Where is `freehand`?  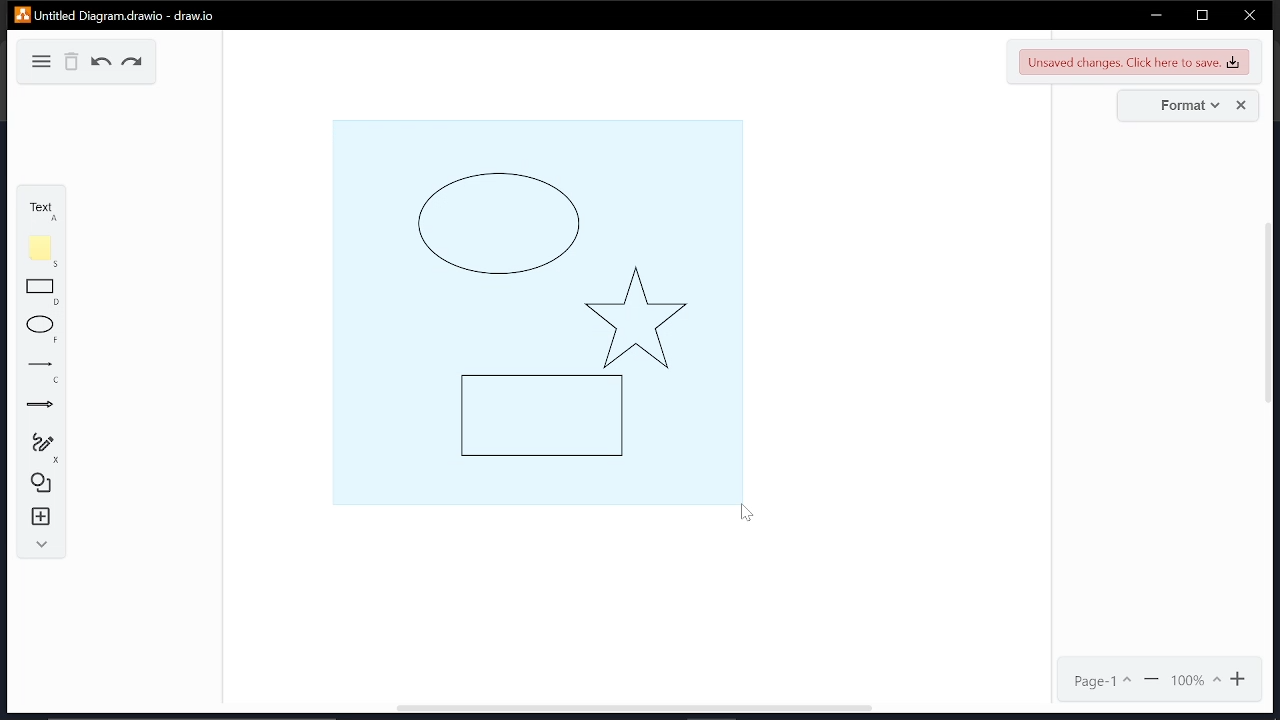 freehand is located at coordinates (42, 447).